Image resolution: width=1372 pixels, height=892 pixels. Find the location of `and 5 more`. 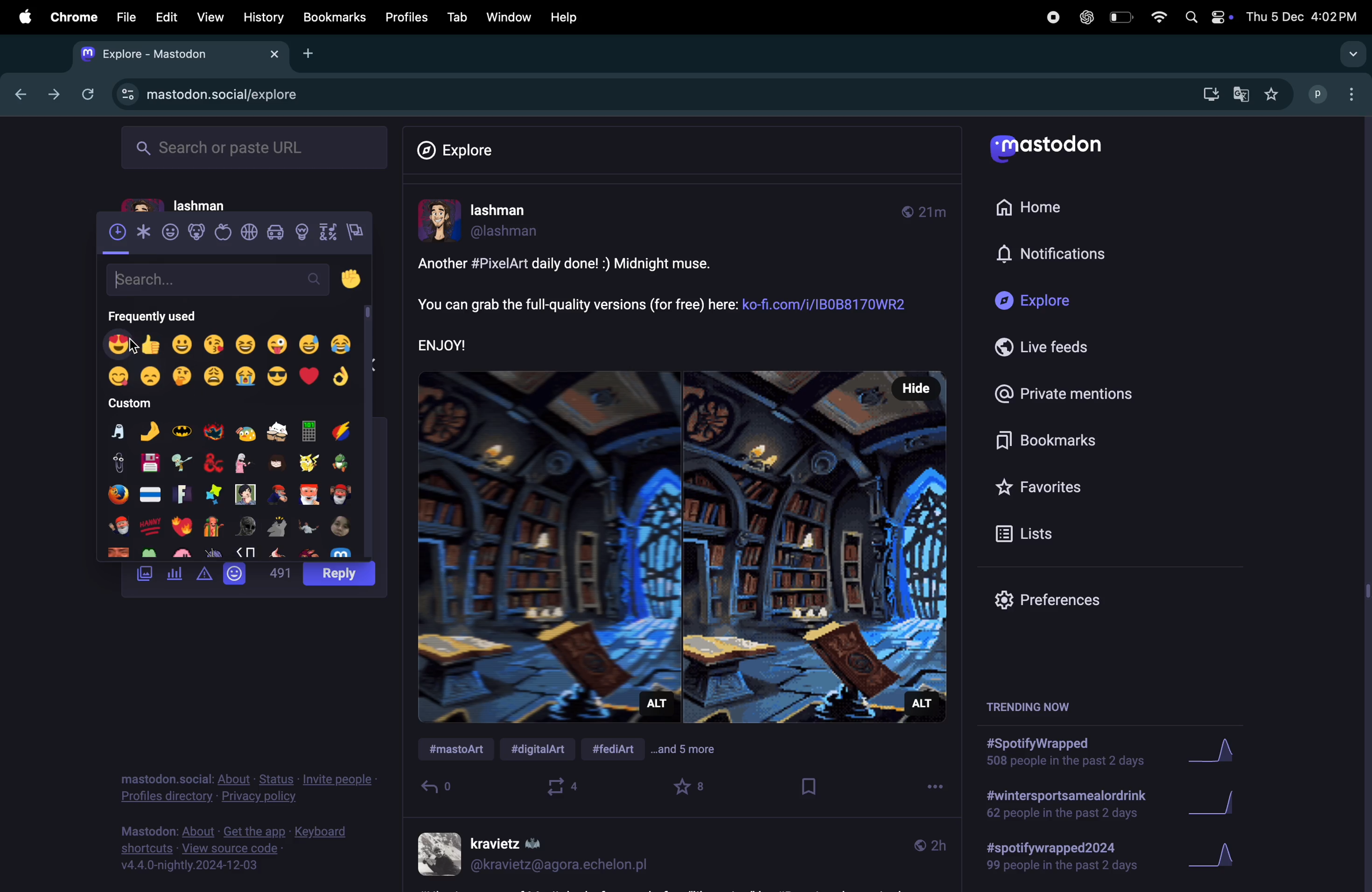

and 5 more is located at coordinates (695, 753).